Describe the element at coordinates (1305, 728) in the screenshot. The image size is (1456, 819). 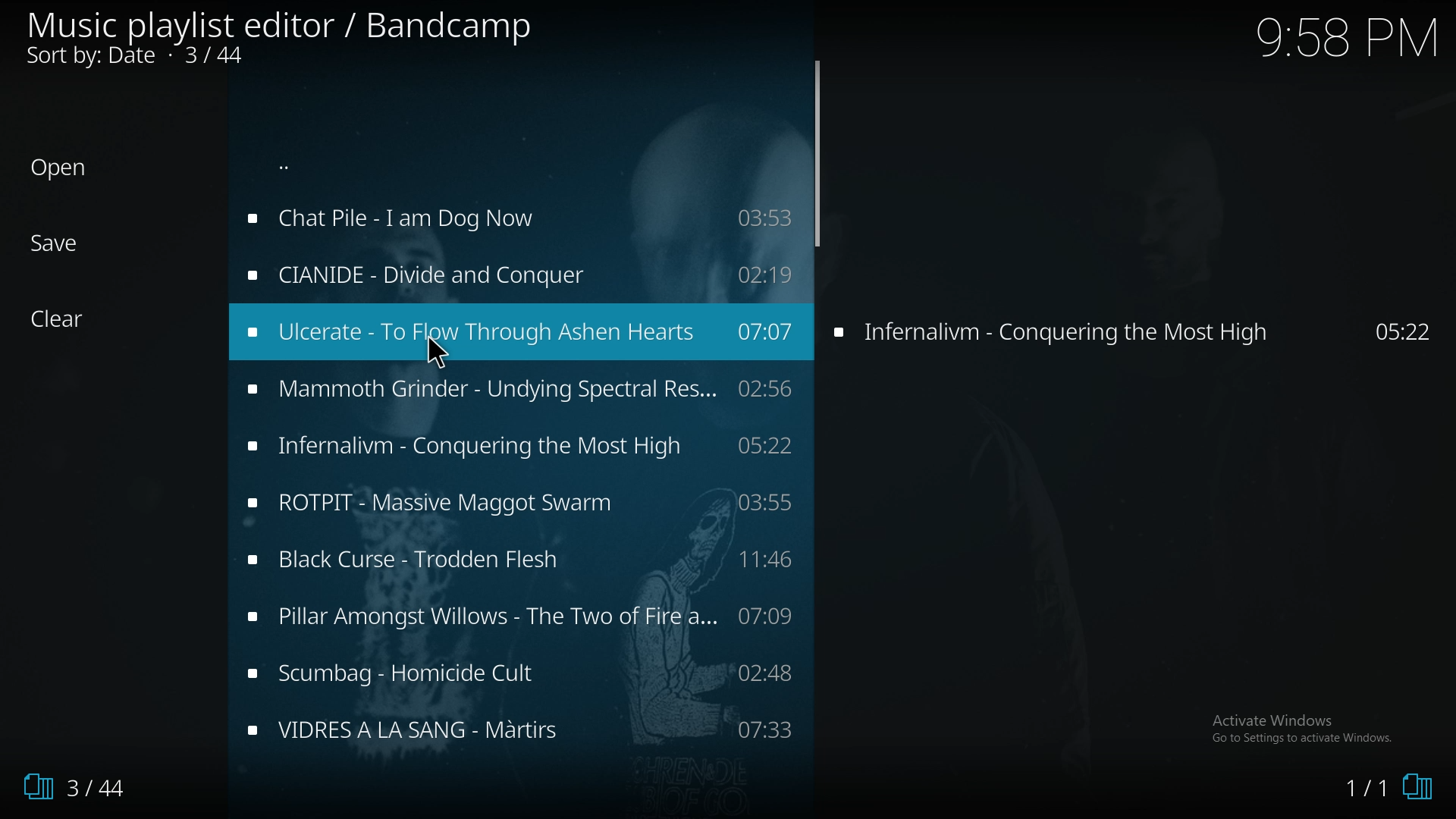
I see `Activate Windows, Go to settings to activate windows` at that location.